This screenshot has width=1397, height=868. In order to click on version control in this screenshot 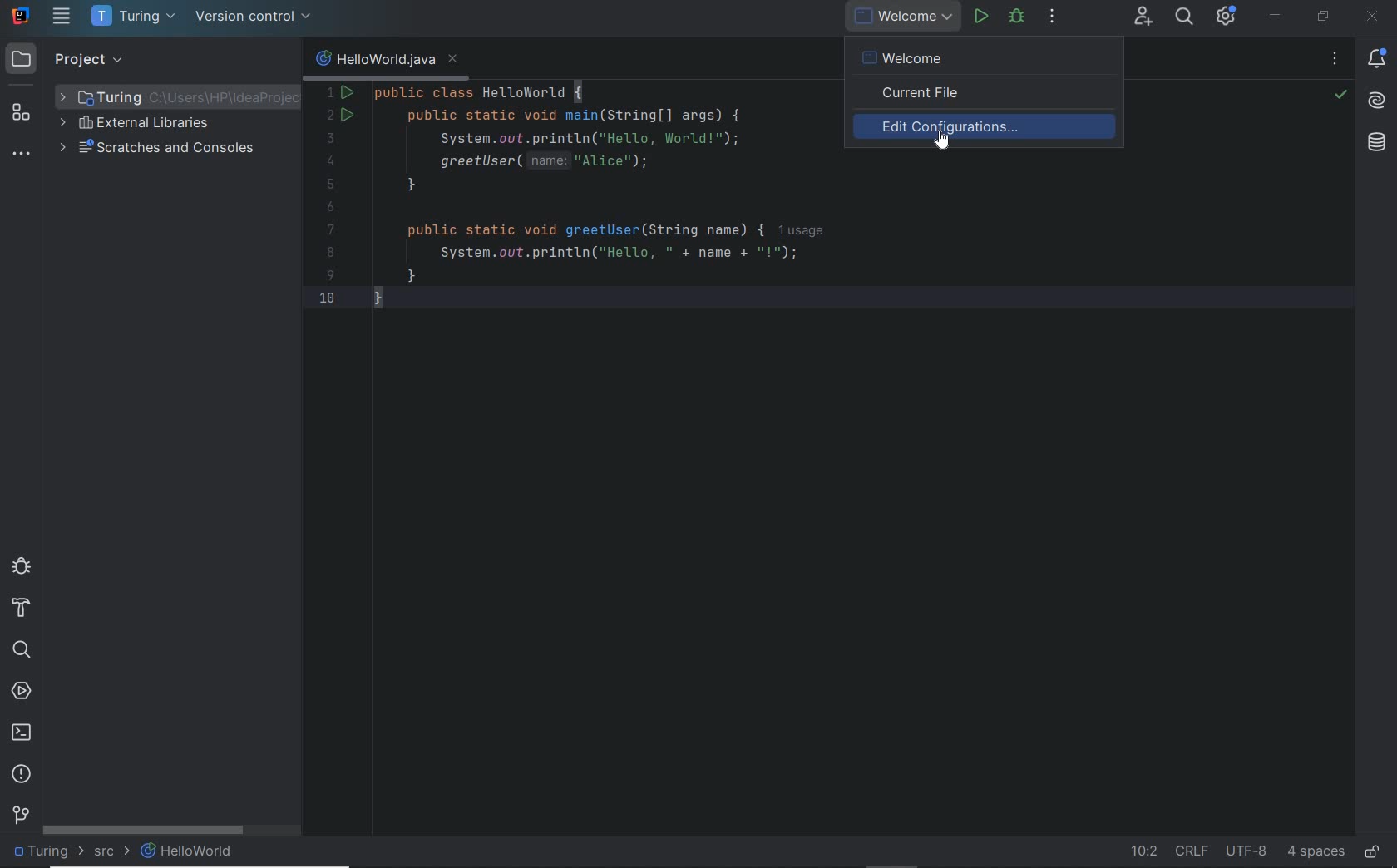, I will do `click(254, 17)`.